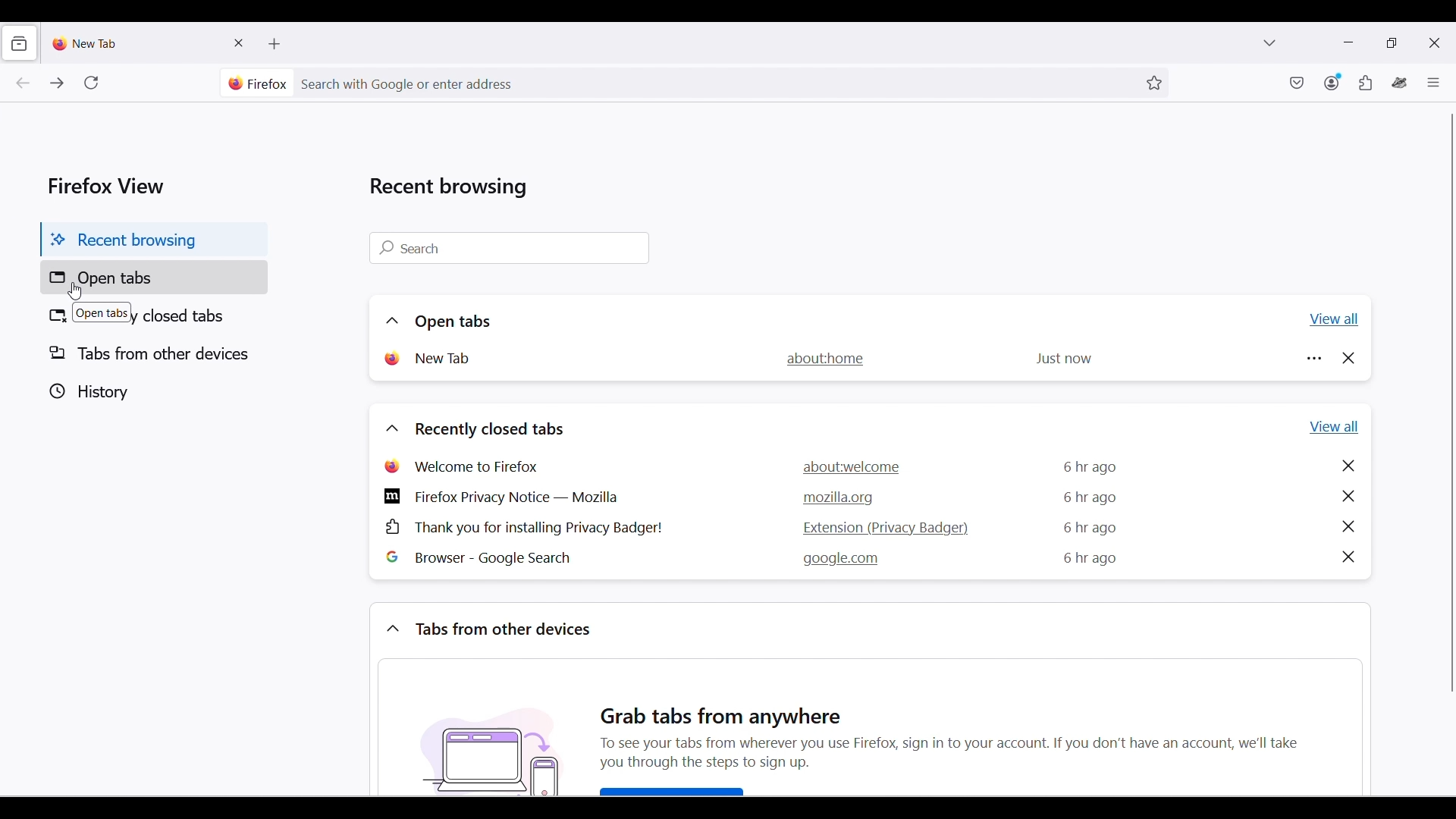 The height and width of the screenshot is (819, 1456). I want to click on google.com, so click(841, 560).